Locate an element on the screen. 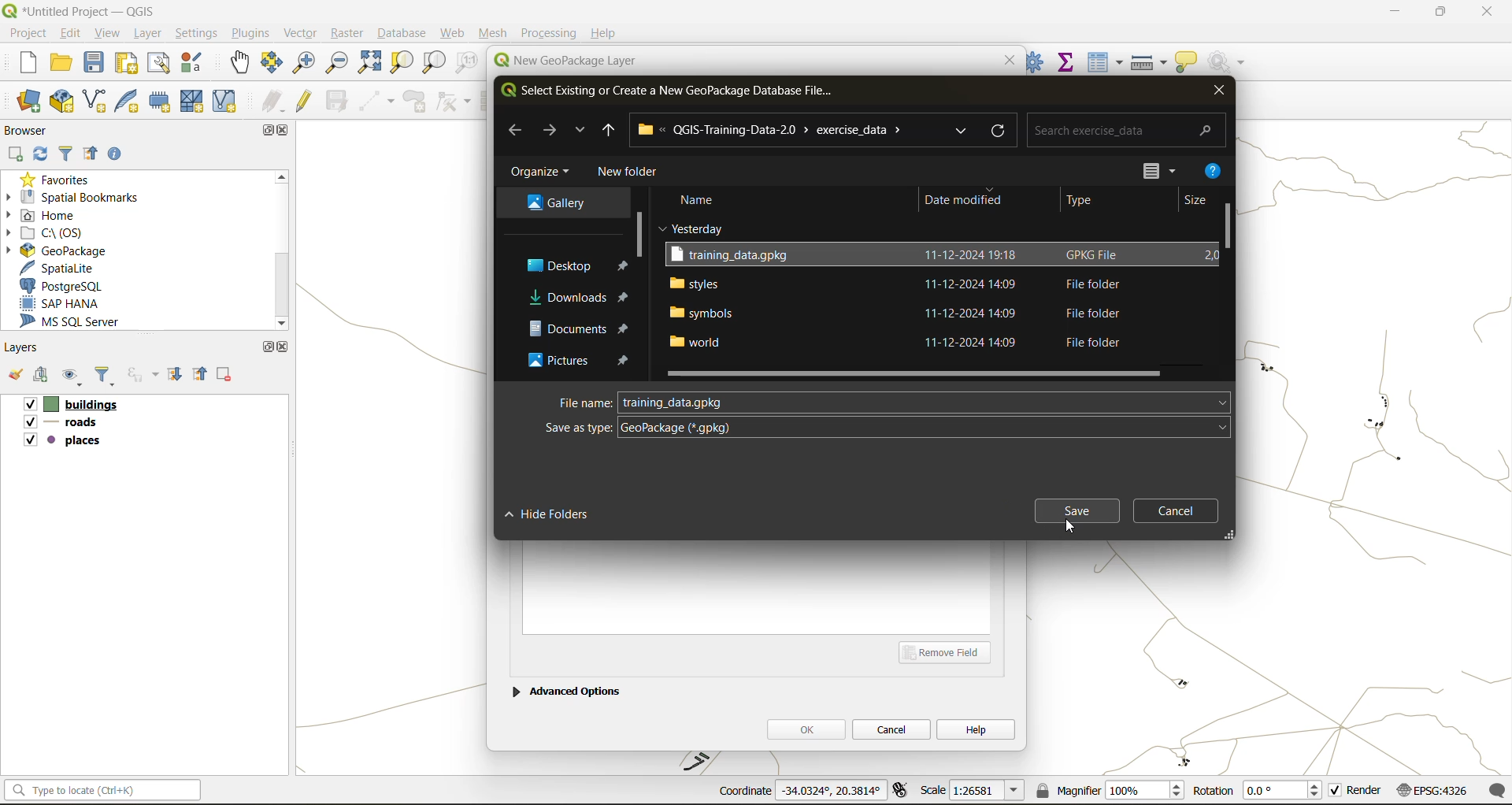 This screenshot has height=805, width=1512. attributes table is located at coordinates (1106, 62).